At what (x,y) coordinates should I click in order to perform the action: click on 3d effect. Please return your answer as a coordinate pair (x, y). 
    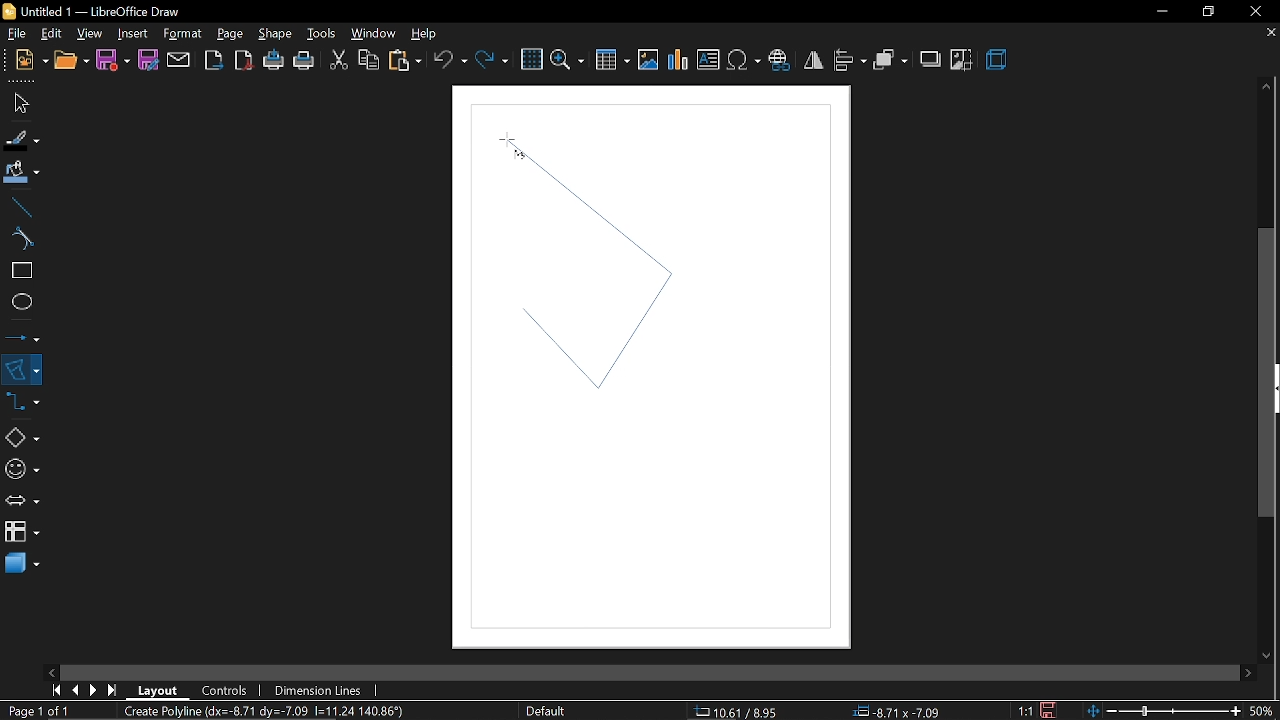
    Looking at the image, I should click on (997, 60).